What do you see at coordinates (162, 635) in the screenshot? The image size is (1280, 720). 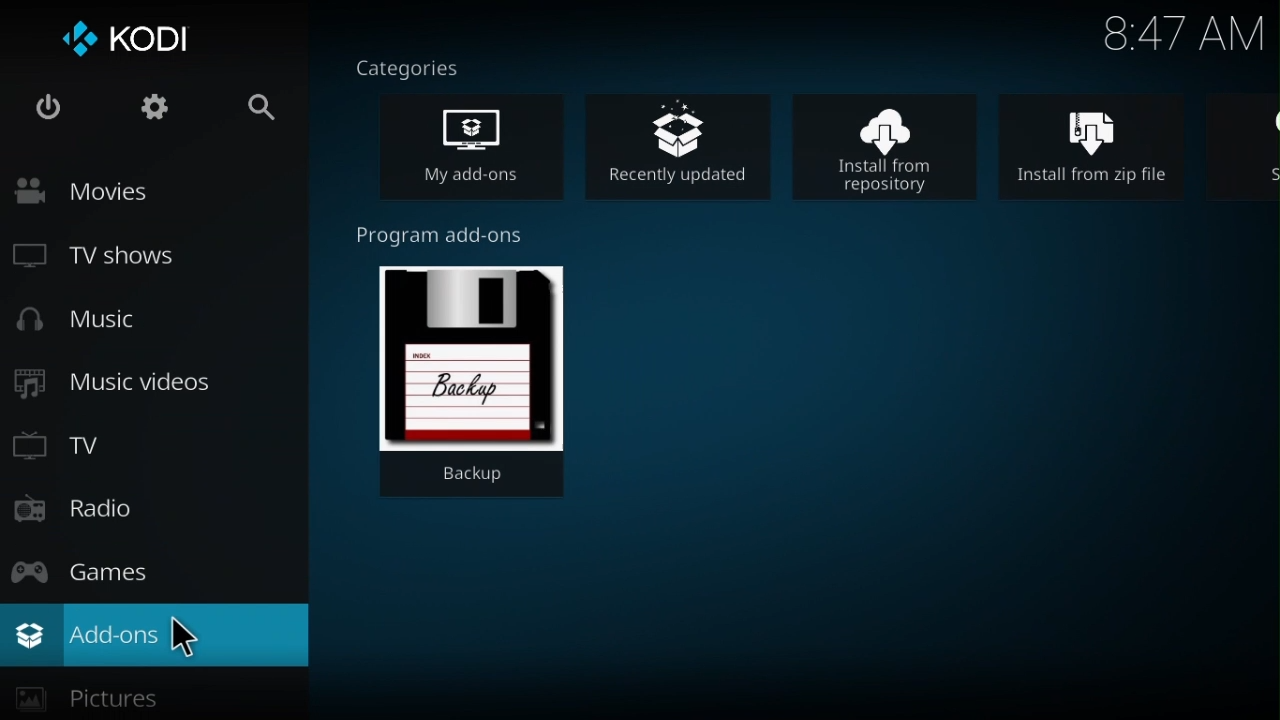 I see `add-ons` at bounding box center [162, 635].